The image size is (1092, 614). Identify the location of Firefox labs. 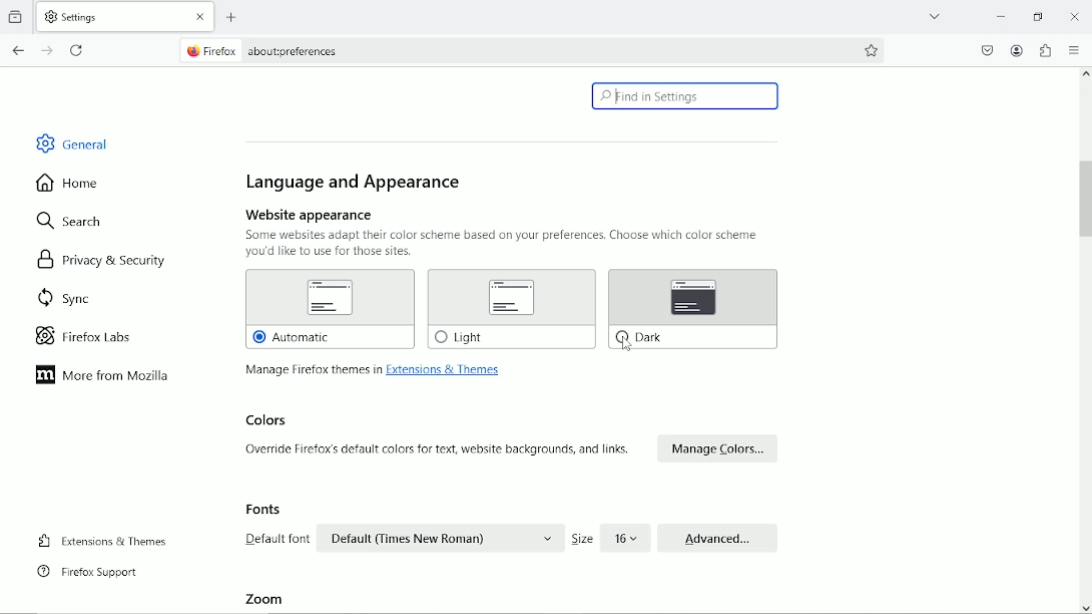
(96, 339).